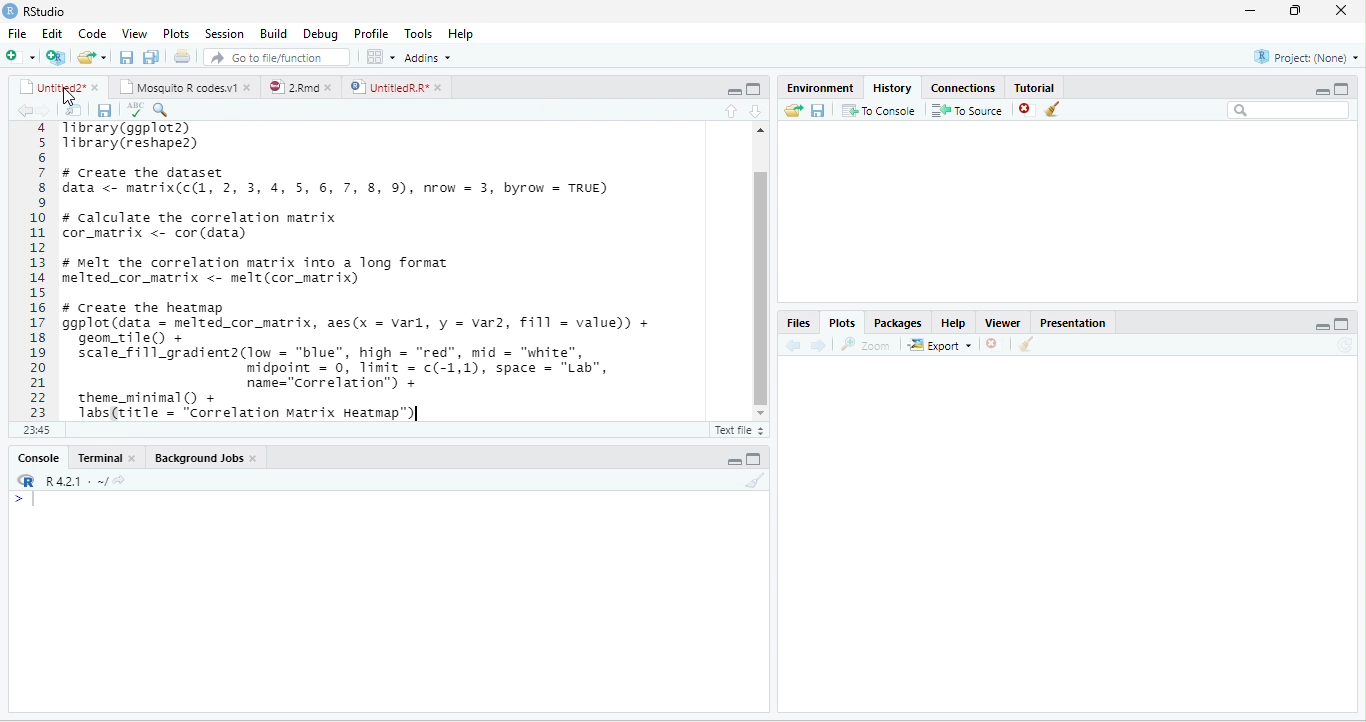 Image resolution: width=1366 pixels, height=722 pixels. What do you see at coordinates (224, 33) in the screenshot?
I see `session` at bounding box center [224, 33].